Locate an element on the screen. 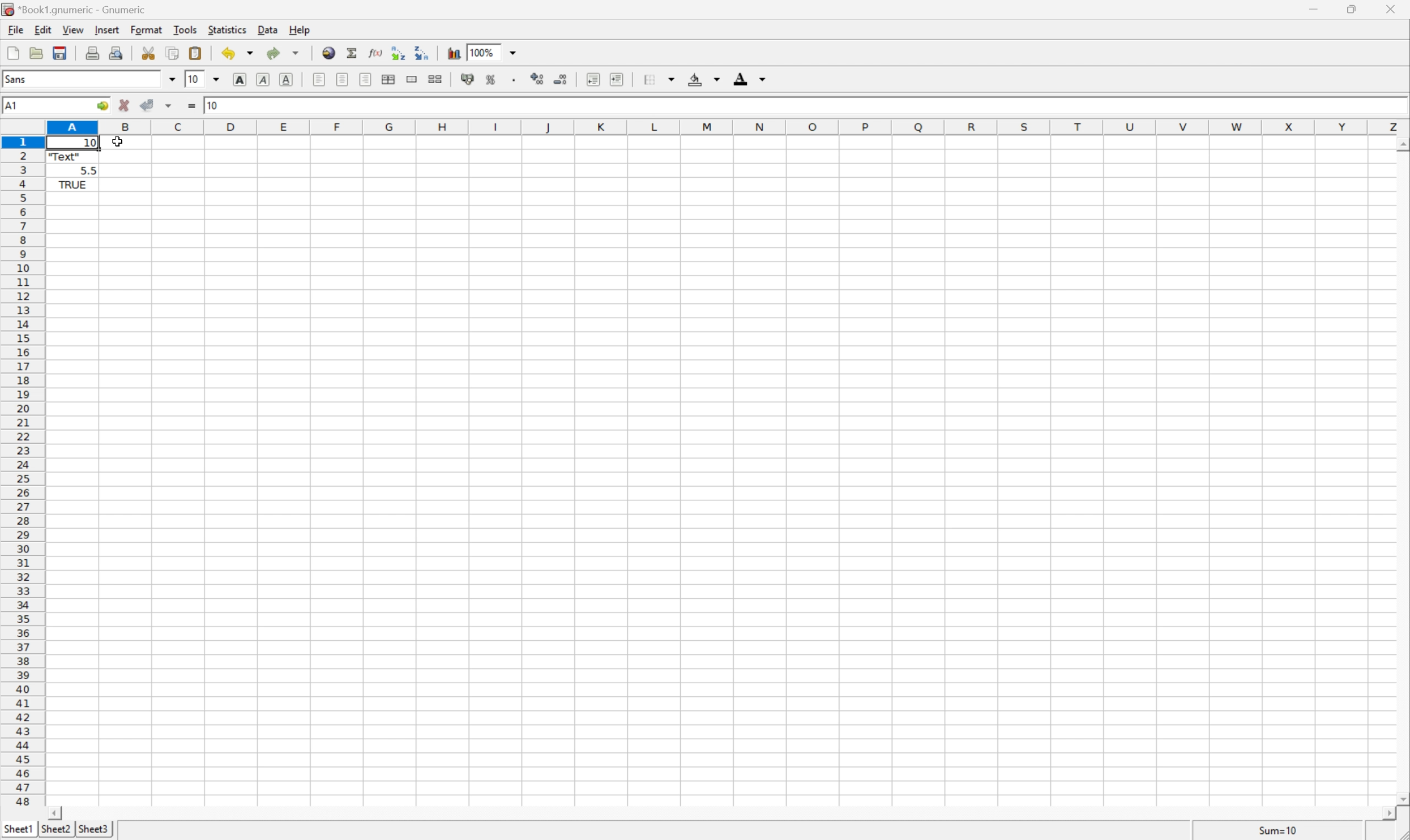 This screenshot has height=840, width=1410. Restore Down is located at coordinates (1352, 9).